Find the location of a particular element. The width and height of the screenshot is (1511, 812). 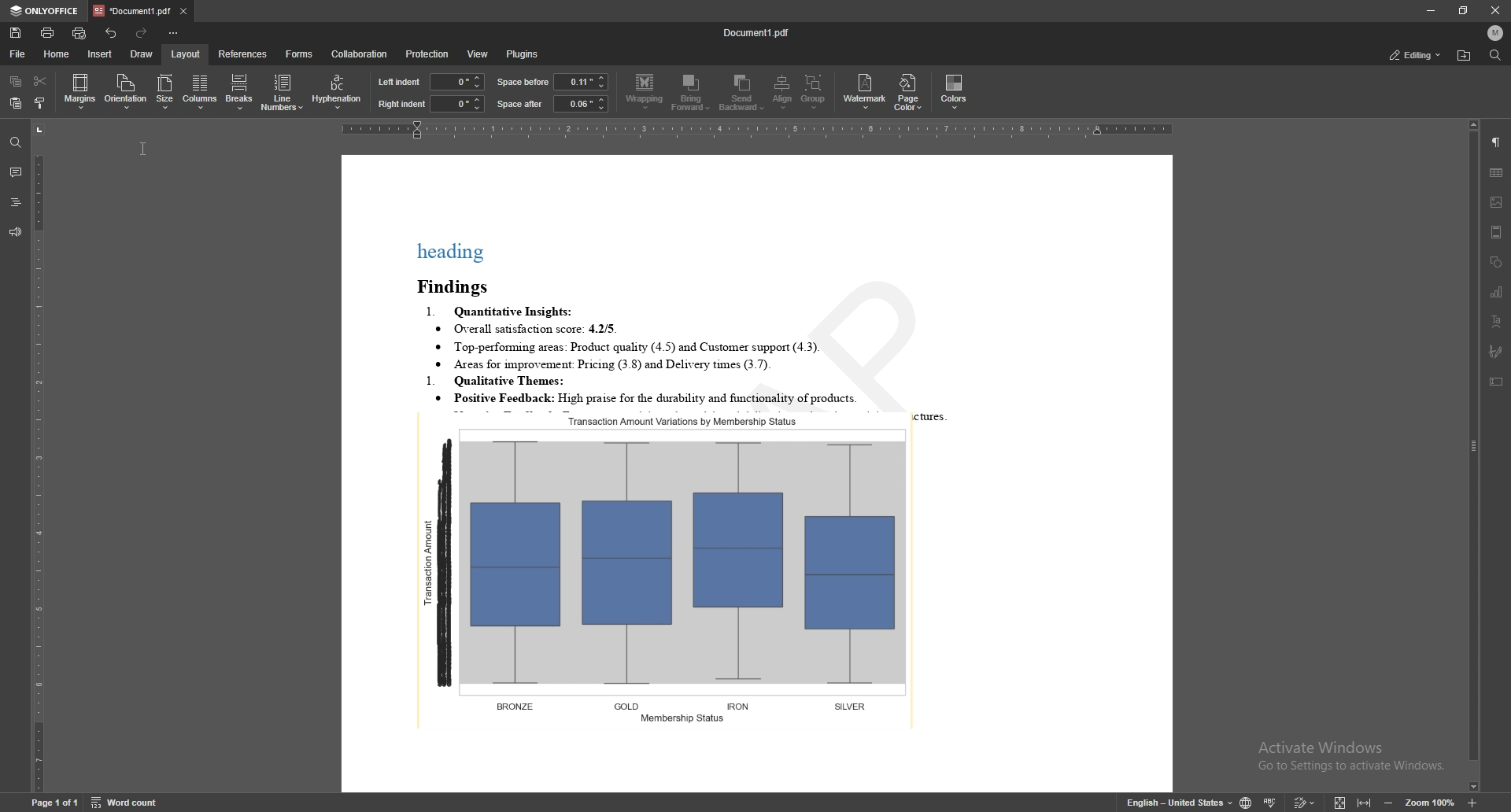

protection is located at coordinates (429, 54).